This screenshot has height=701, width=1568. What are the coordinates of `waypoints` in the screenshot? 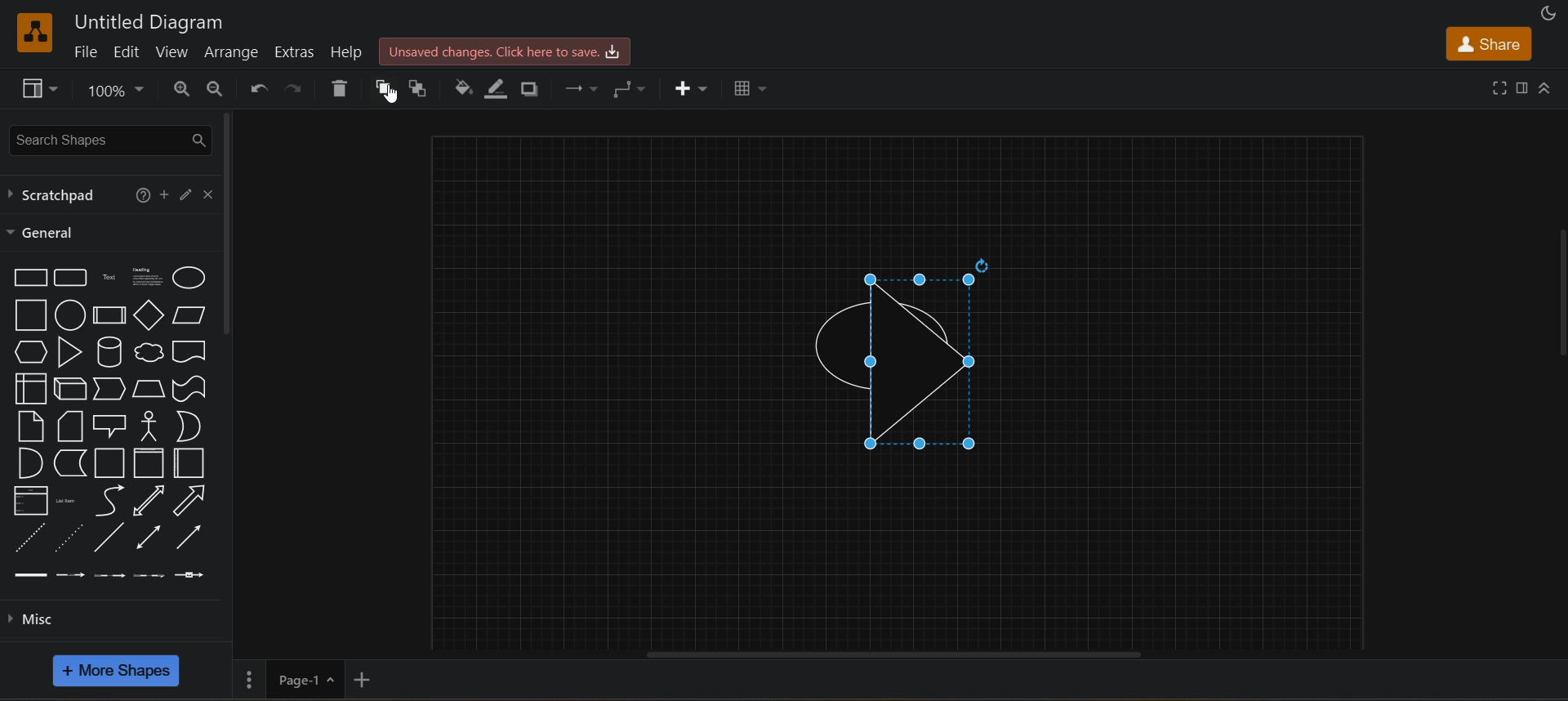 It's located at (635, 90).